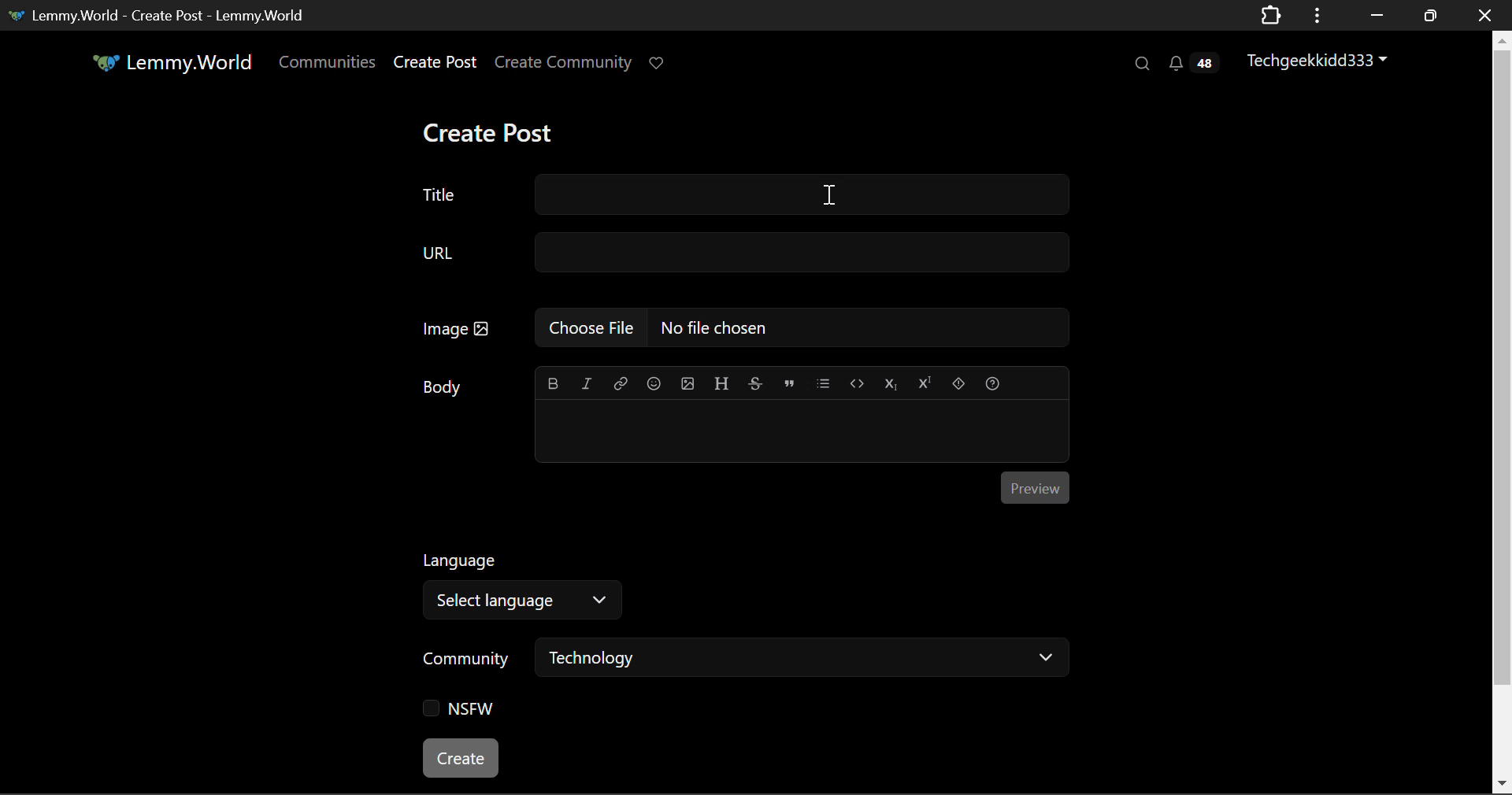  Describe the element at coordinates (160, 14) in the screenshot. I see `Lemmy.World - Create Post - Lemmy.World` at that location.